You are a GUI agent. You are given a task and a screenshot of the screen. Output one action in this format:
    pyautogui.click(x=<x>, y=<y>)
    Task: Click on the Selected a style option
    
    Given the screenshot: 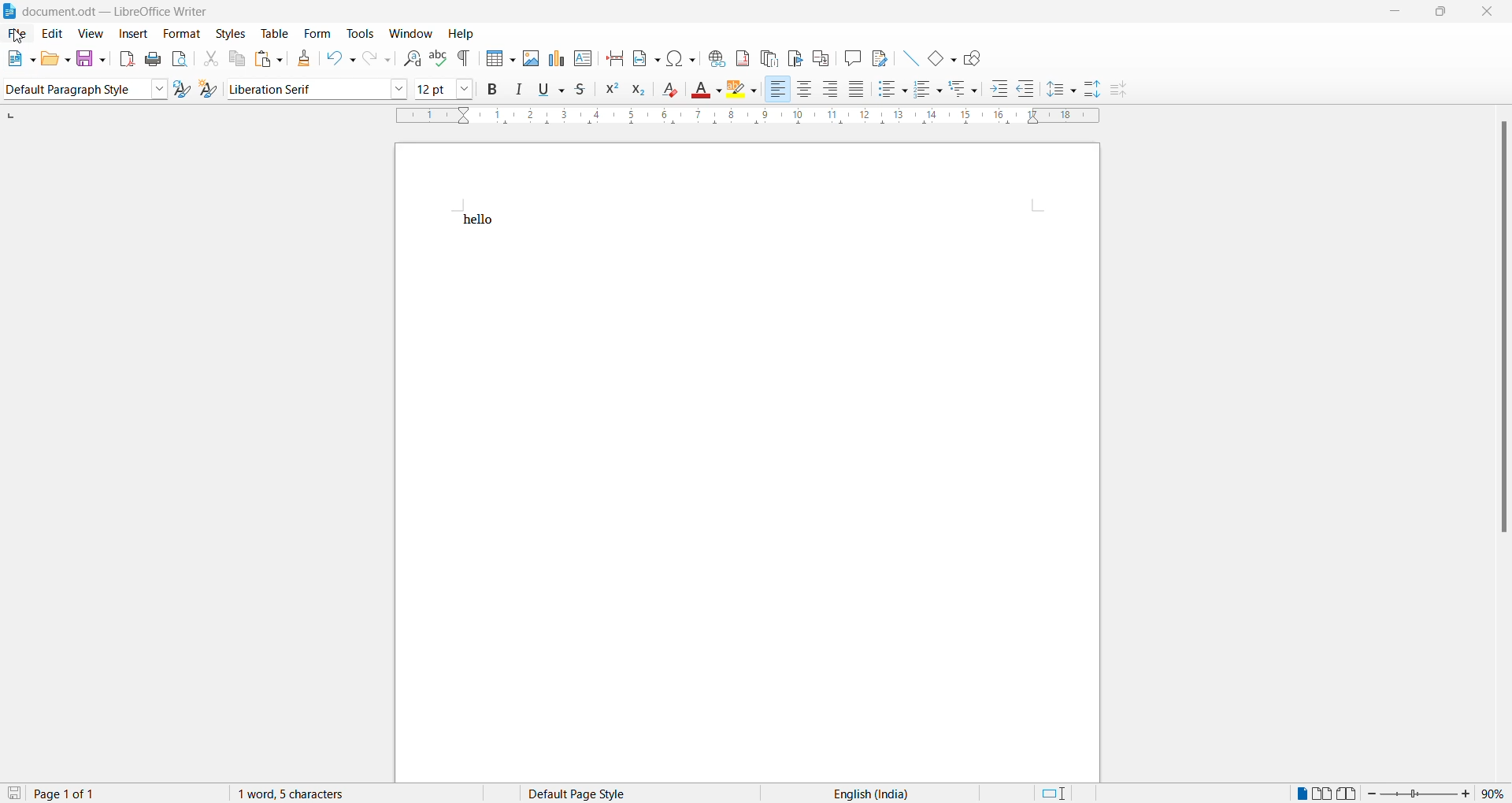 What is the action you would take?
    pyautogui.click(x=72, y=90)
    